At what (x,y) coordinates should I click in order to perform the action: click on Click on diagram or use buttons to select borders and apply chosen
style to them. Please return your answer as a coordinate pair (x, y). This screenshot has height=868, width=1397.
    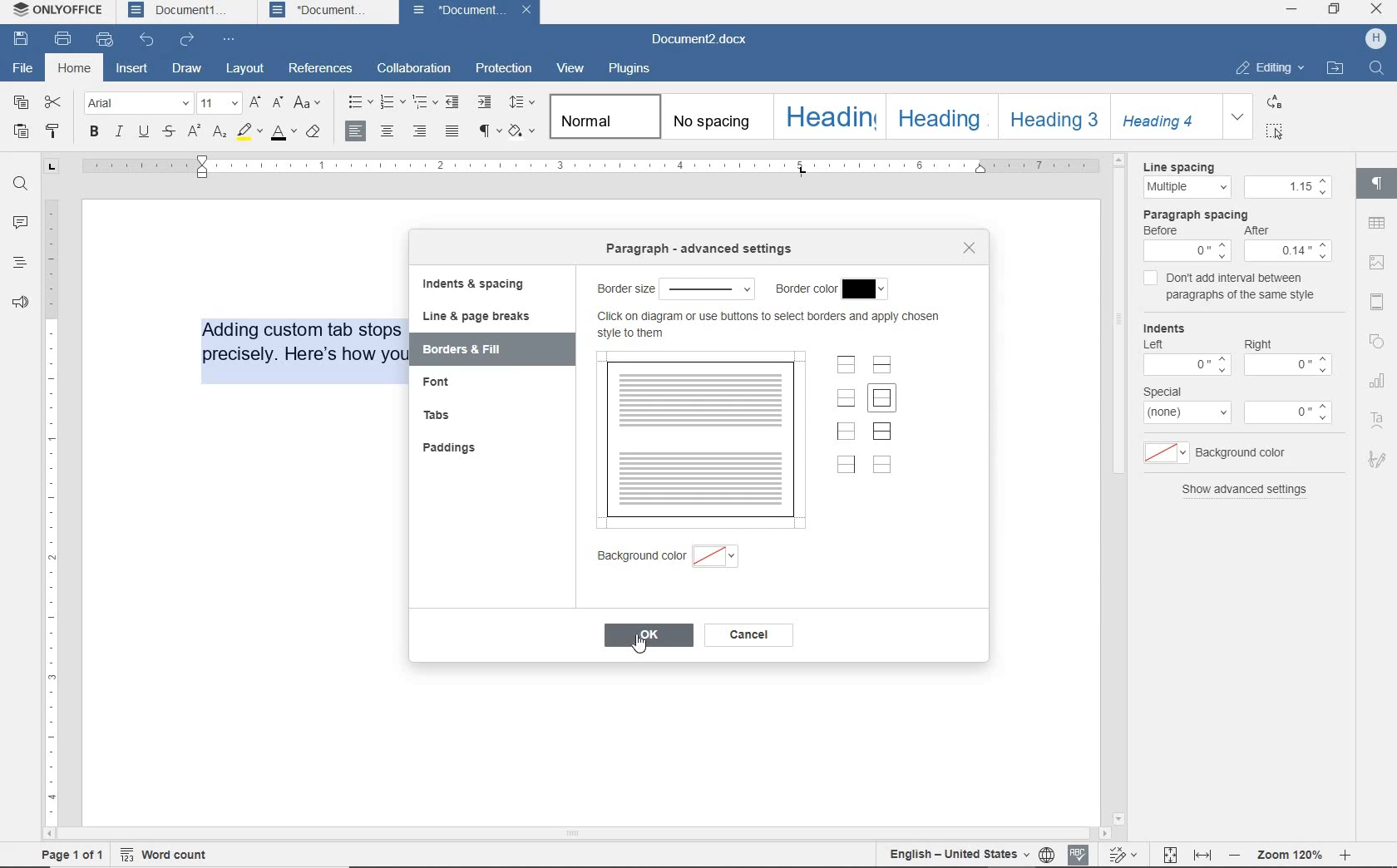
    Looking at the image, I should click on (772, 324).